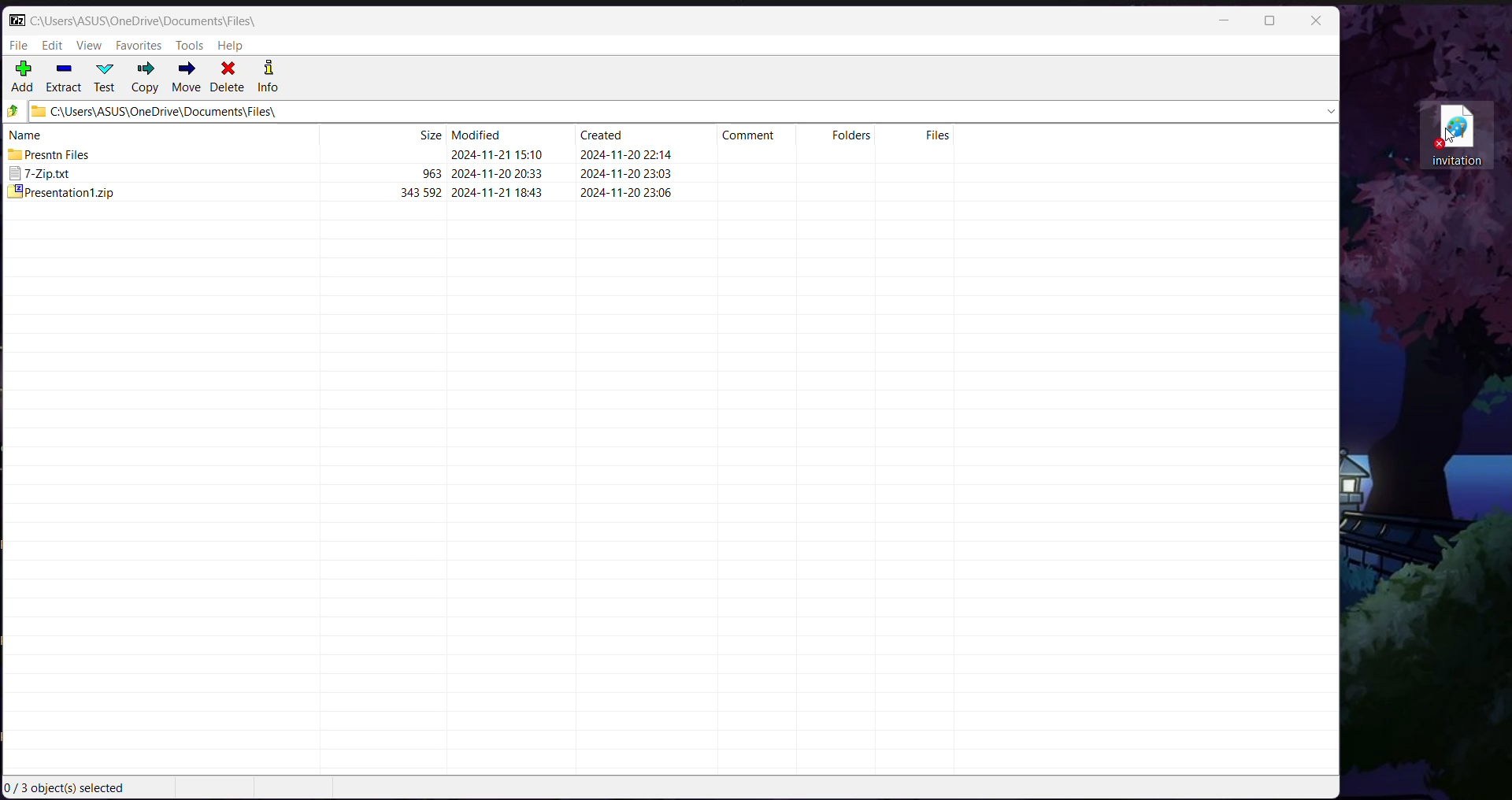 This screenshot has width=1512, height=800. Describe the element at coordinates (139, 46) in the screenshot. I see `Favorites` at that location.